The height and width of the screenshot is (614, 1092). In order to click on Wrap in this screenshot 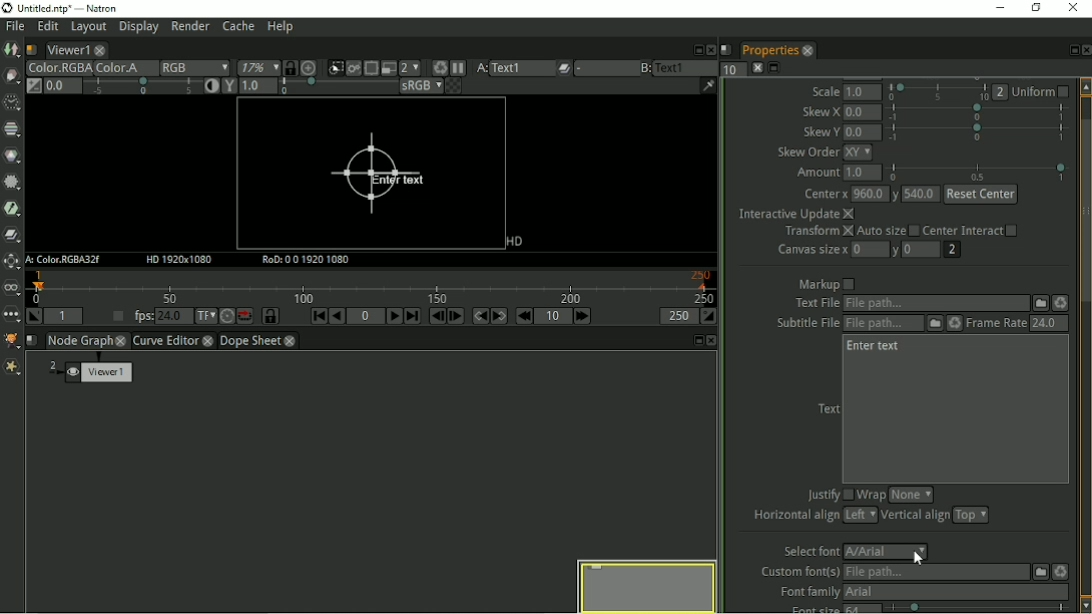, I will do `click(872, 496)`.